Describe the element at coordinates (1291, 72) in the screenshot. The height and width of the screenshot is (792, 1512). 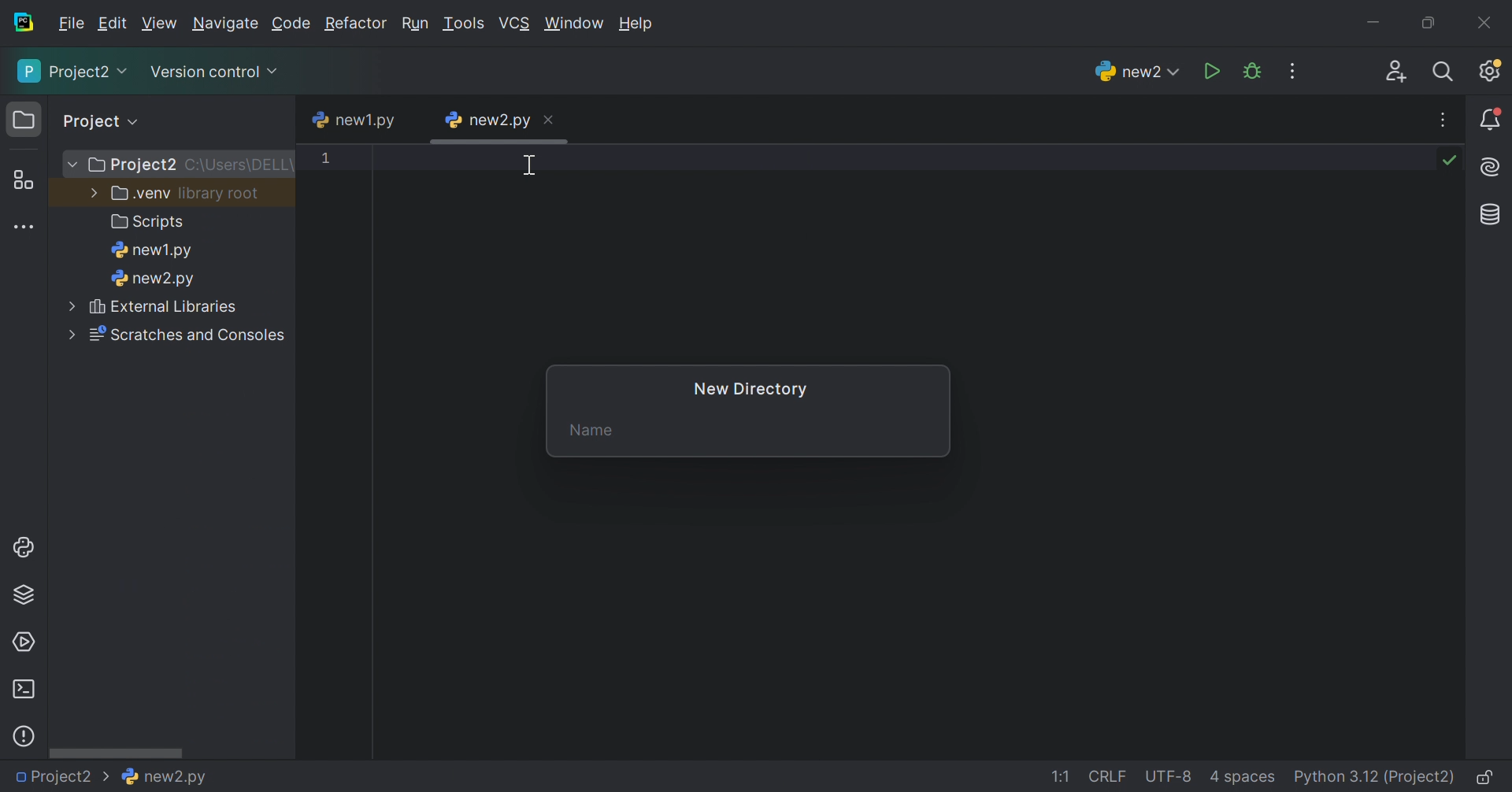
I see `More actions` at that location.